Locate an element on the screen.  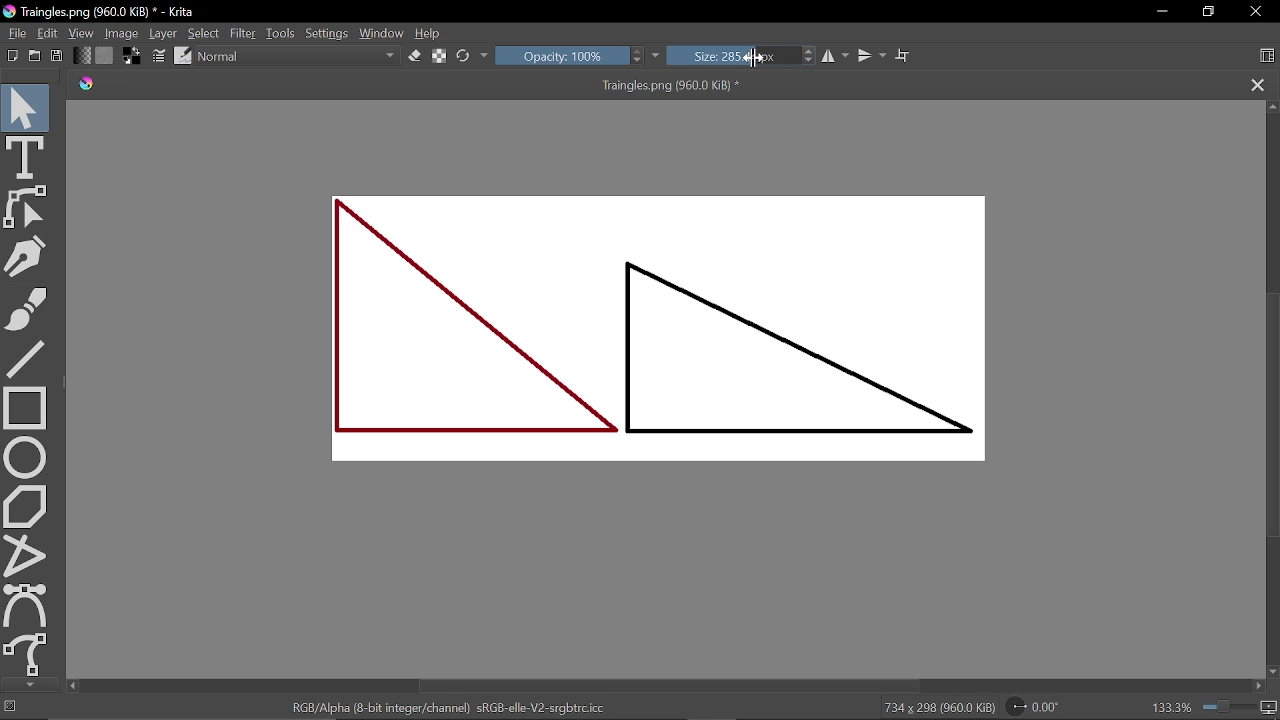
Freehand curve tool is located at coordinates (28, 654).